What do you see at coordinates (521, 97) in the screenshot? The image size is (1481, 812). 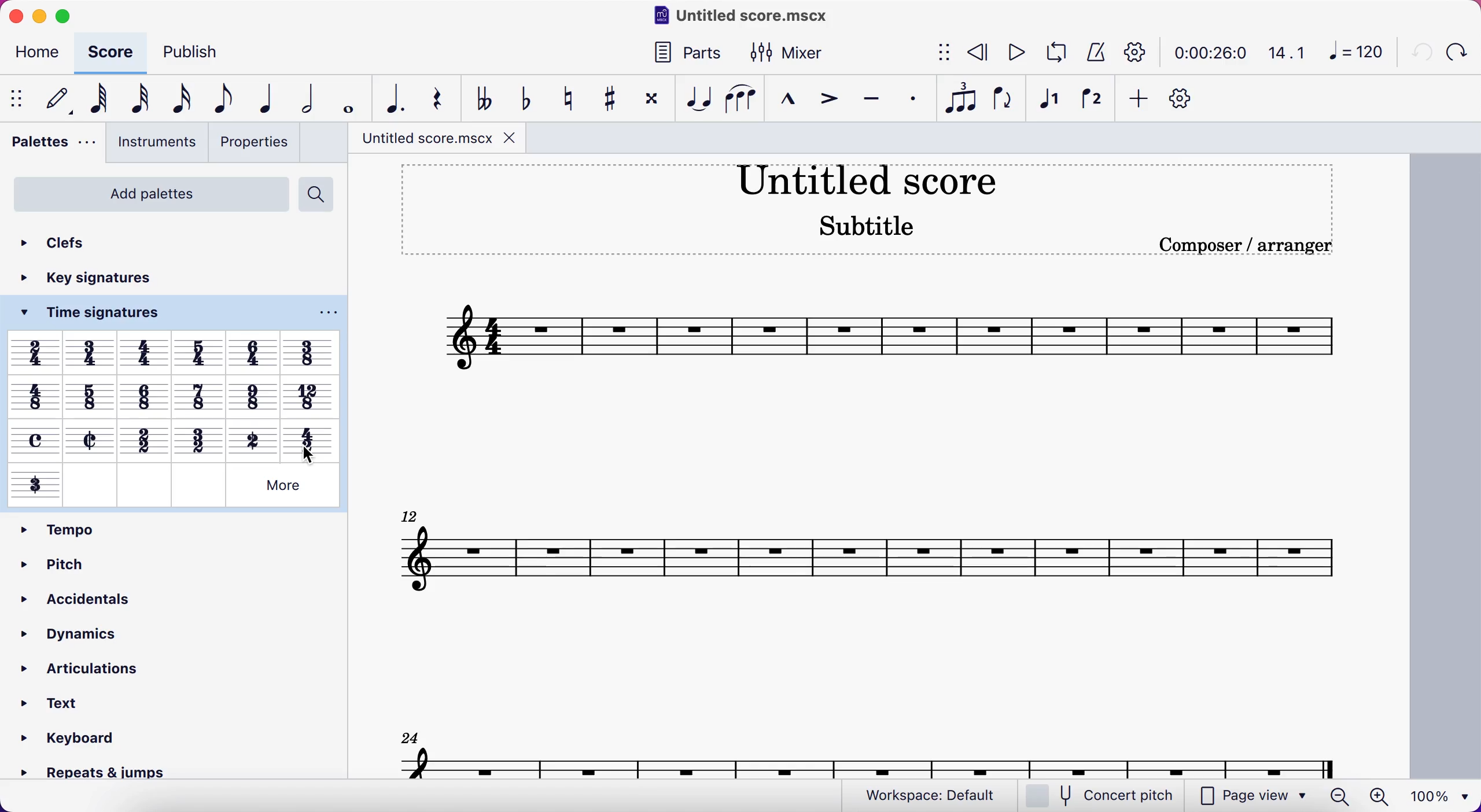 I see `toggle flat` at bounding box center [521, 97].